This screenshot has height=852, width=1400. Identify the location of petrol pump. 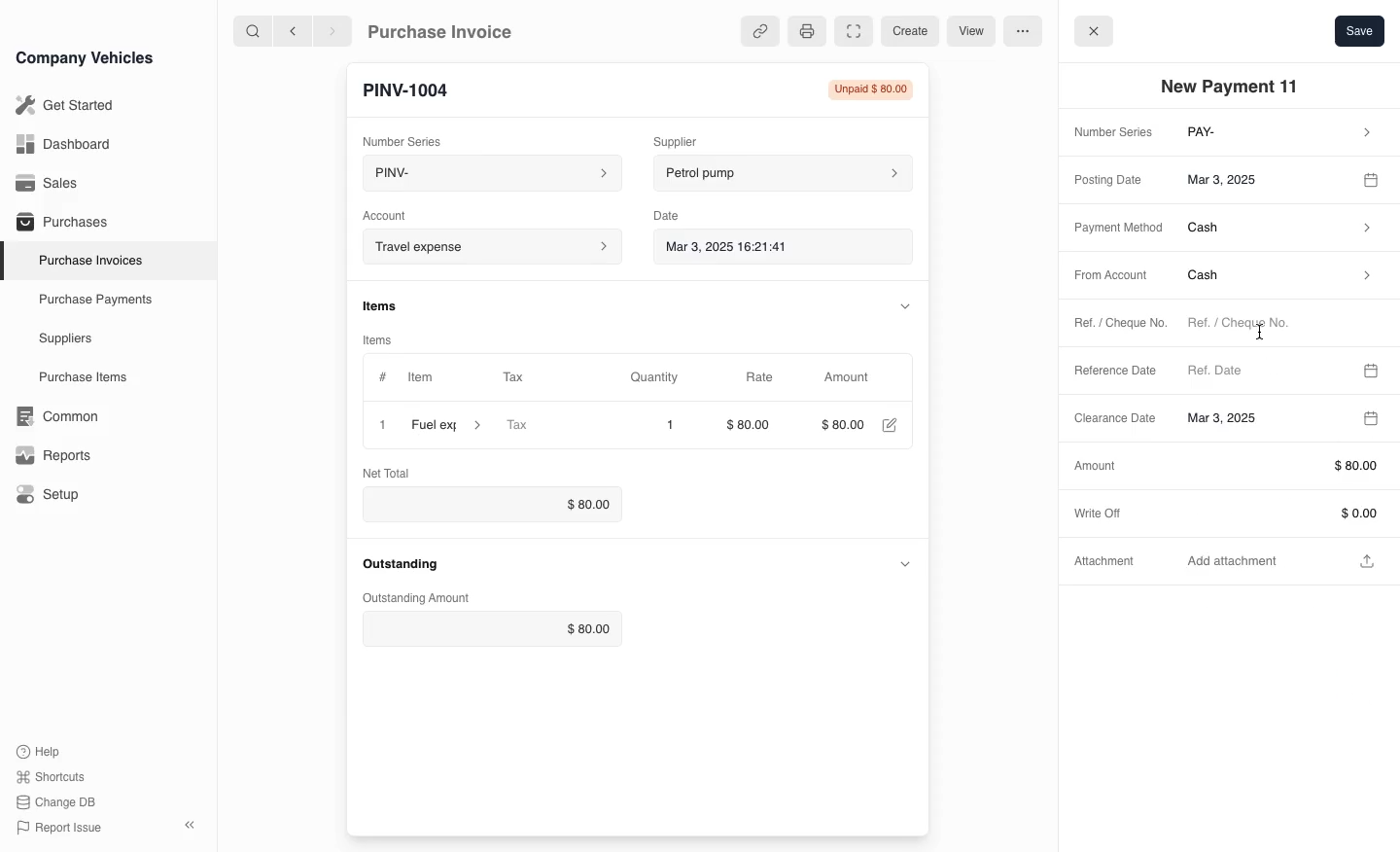
(784, 170).